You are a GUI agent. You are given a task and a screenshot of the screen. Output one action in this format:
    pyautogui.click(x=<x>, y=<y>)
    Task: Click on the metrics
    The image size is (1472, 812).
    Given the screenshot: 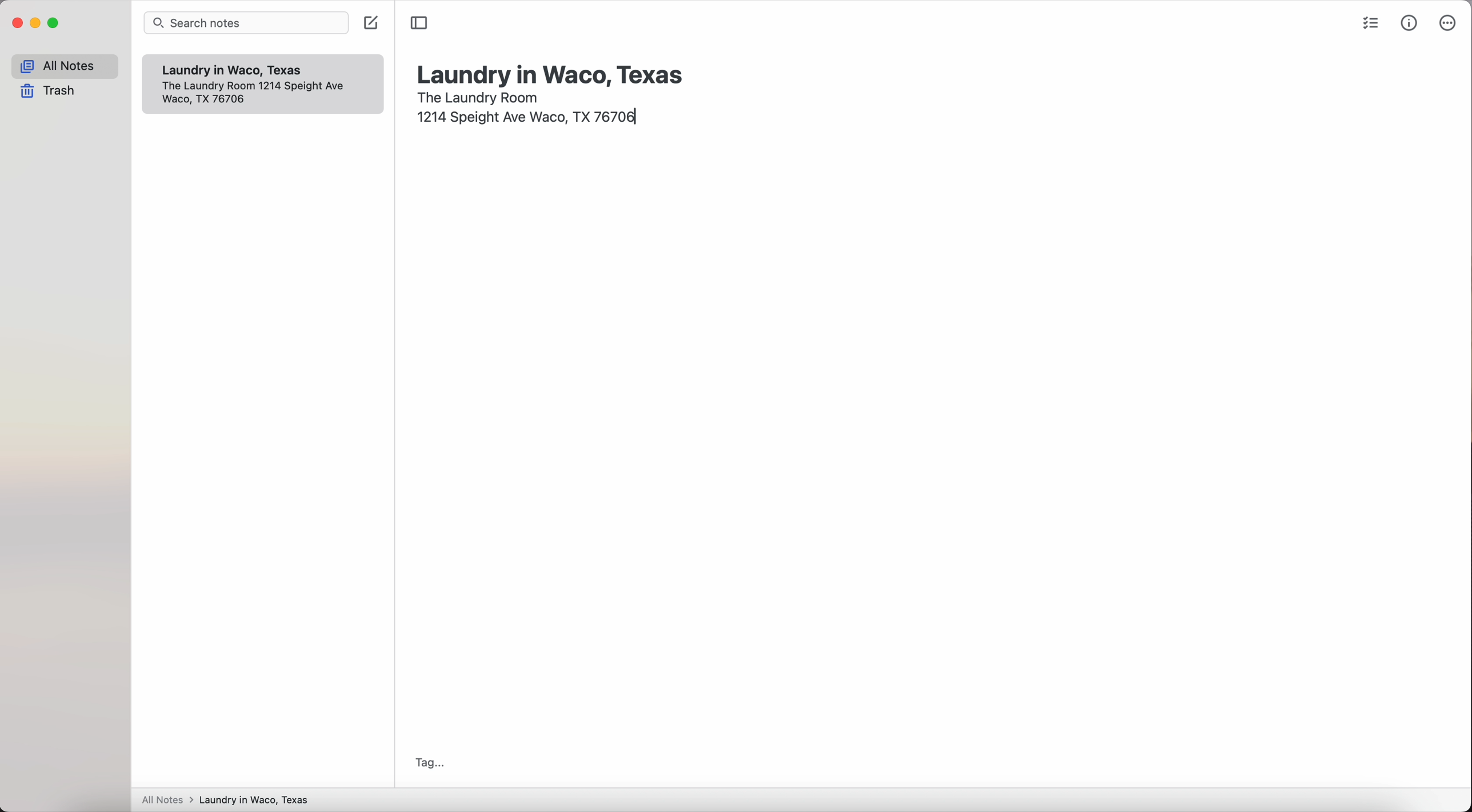 What is the action you would take?
    pyautogui.click(x=1410, y=22)
    